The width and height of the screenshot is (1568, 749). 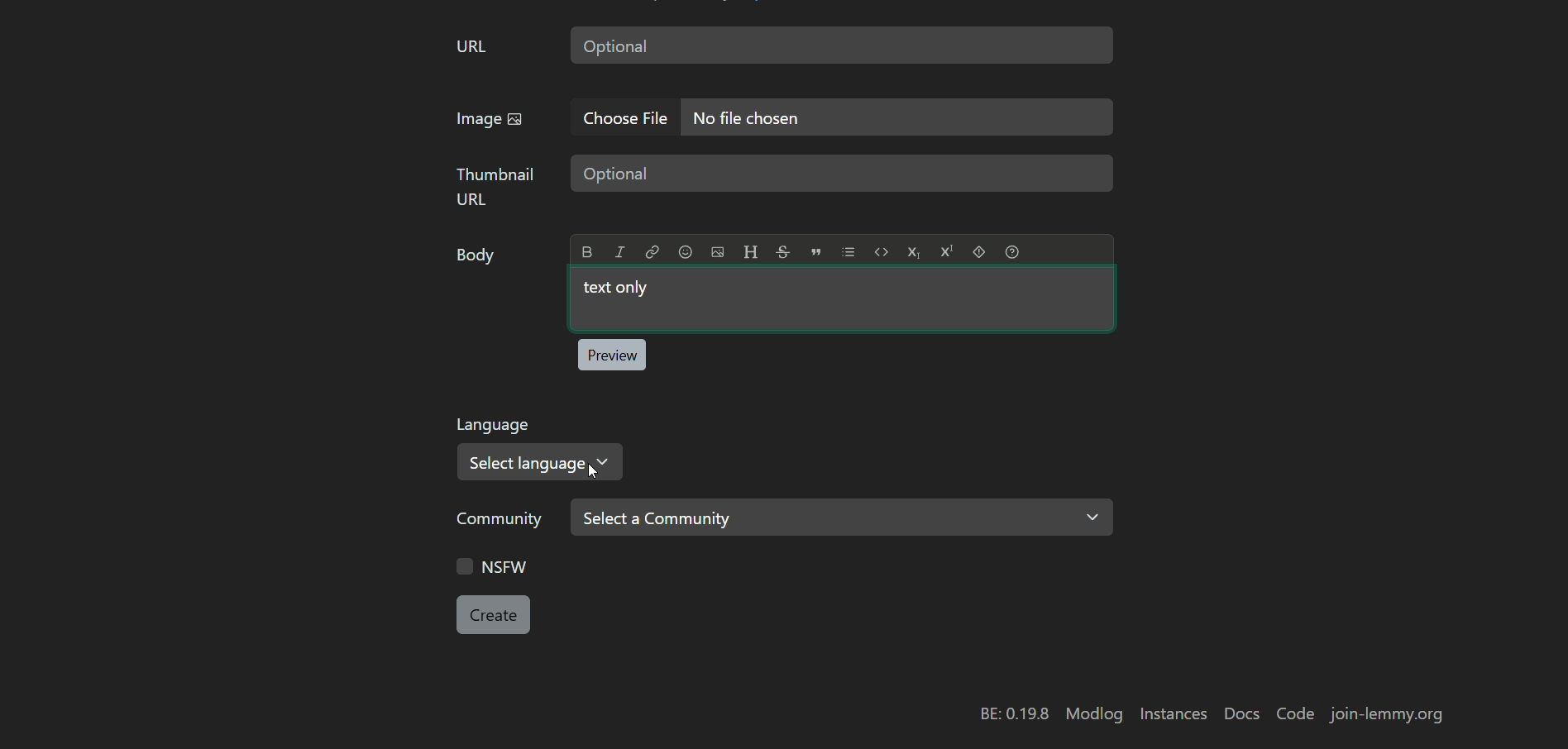 I want to click on image, so click(x=490, y=121).